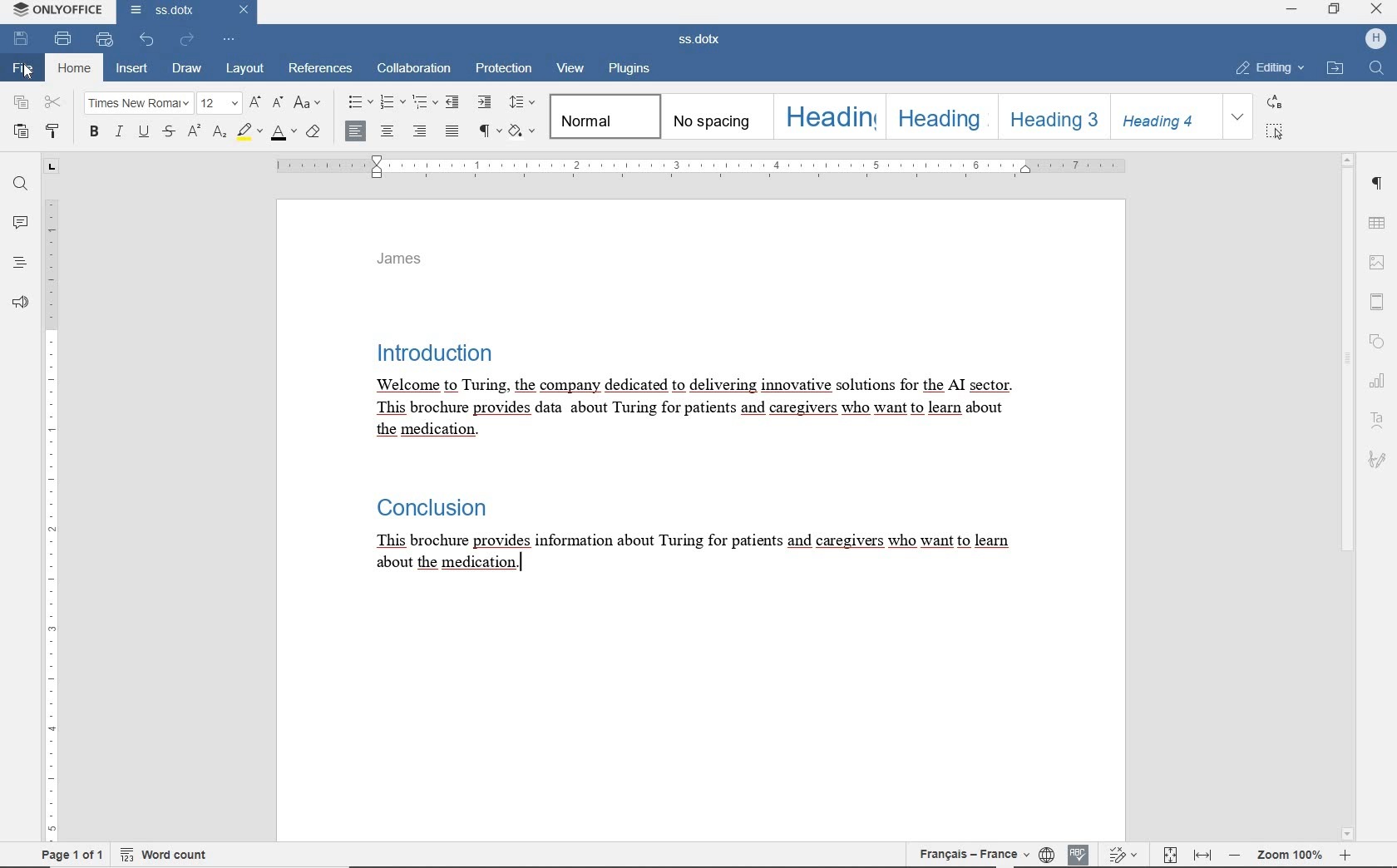 The width and height of the screenshot is (1397, 868). I want to click on PLUGINS, so click(629, 69).